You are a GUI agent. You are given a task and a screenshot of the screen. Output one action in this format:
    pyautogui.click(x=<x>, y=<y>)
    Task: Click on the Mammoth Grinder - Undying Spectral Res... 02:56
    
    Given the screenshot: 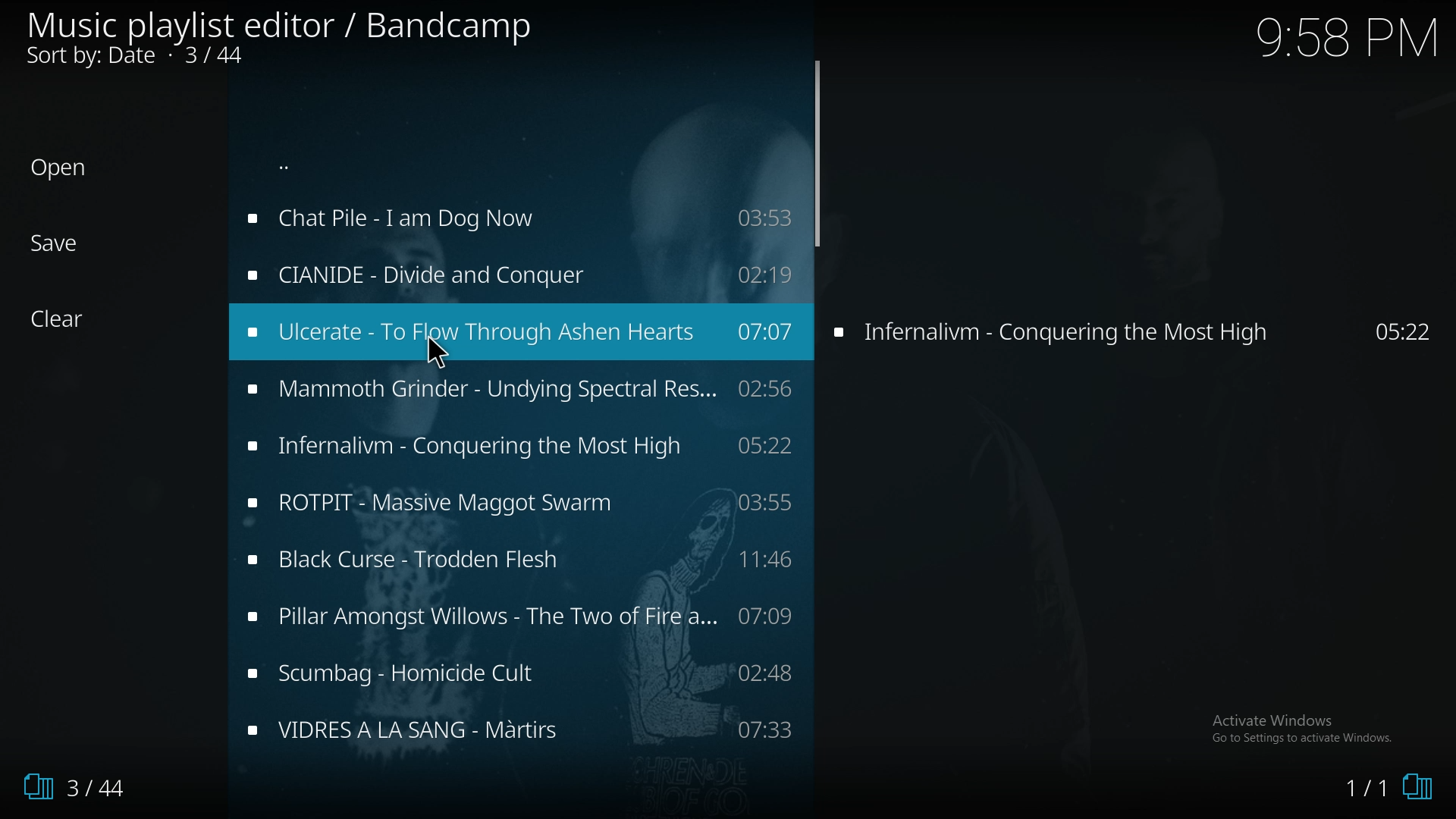 What is the action you would take?
    pyautogui.click(x=517, y=391)
    